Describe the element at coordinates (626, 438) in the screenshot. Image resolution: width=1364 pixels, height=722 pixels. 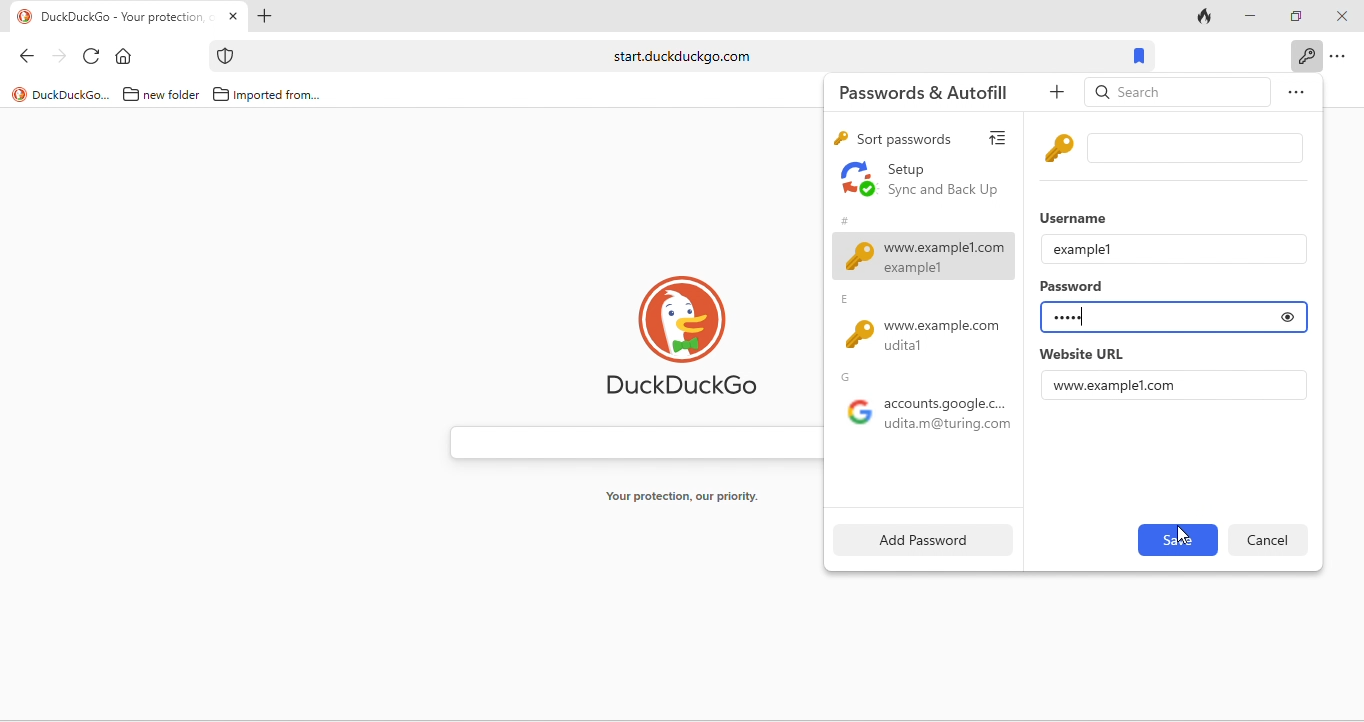
I see `search bar` at that location.